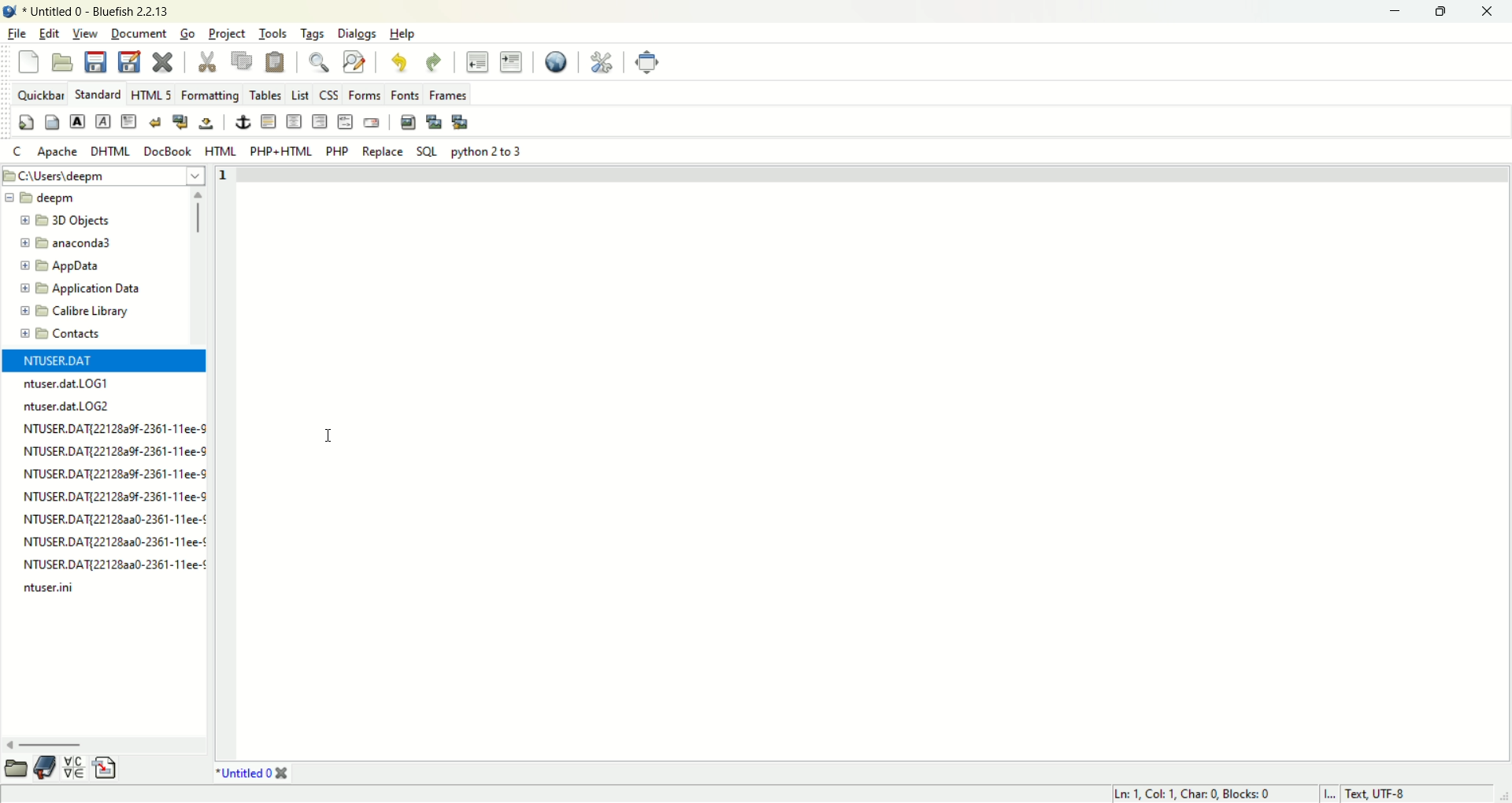 The height and width of the screenshot is (803, 1512). What do you see at coordinates (319, 120) in the screenshot?
I see `right justify` at bounding box center [319, 120].